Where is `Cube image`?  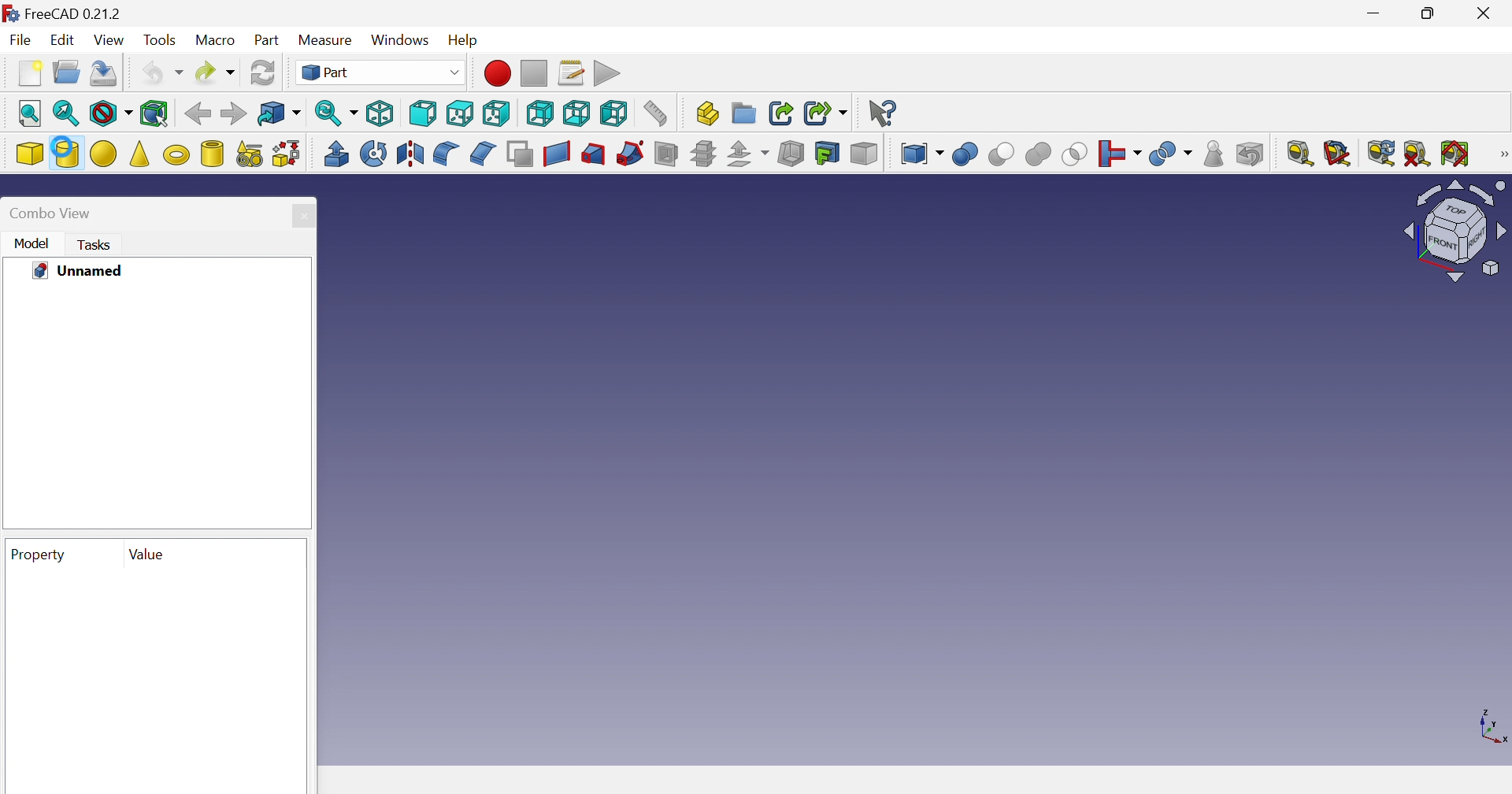
Cube image is located at coordinates (1457, 230).